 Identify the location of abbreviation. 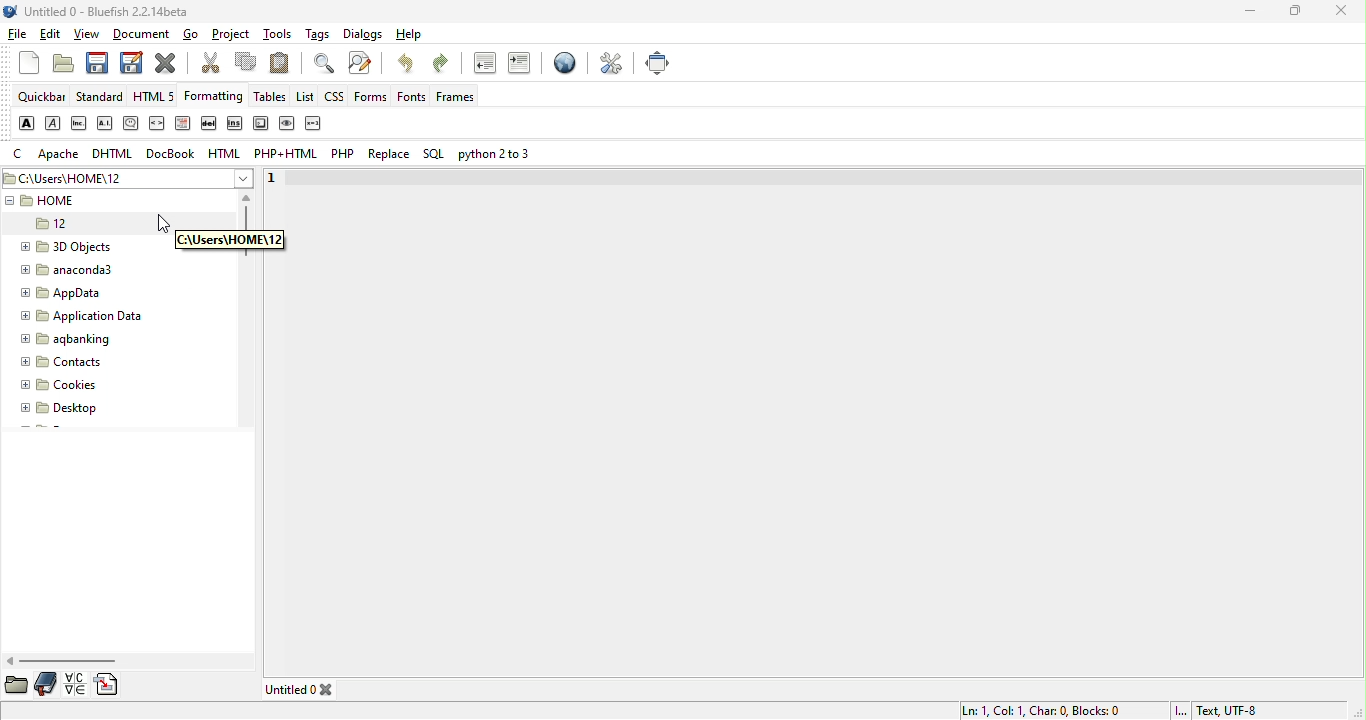
(79, 124).